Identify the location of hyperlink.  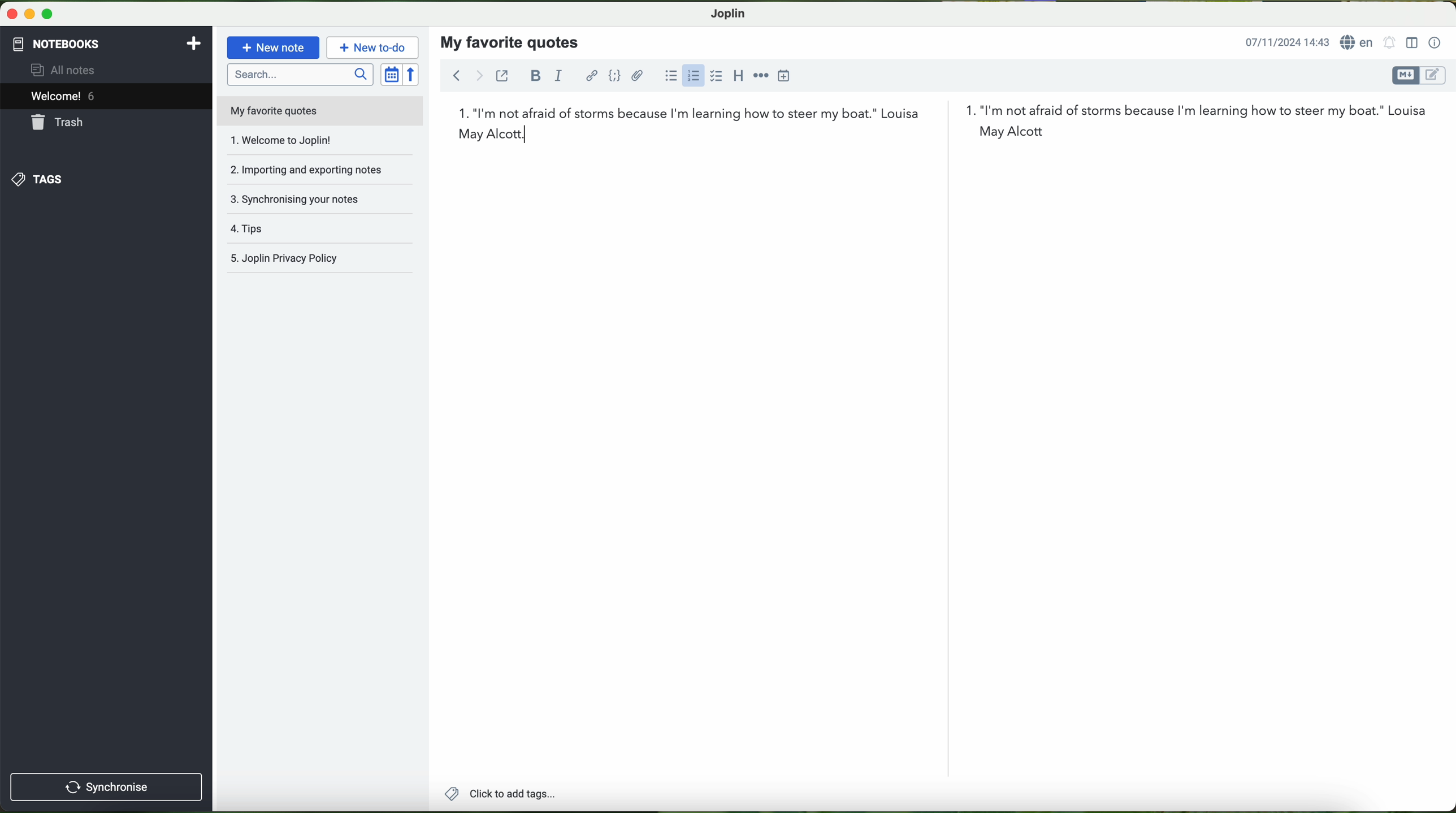
(591, 77).